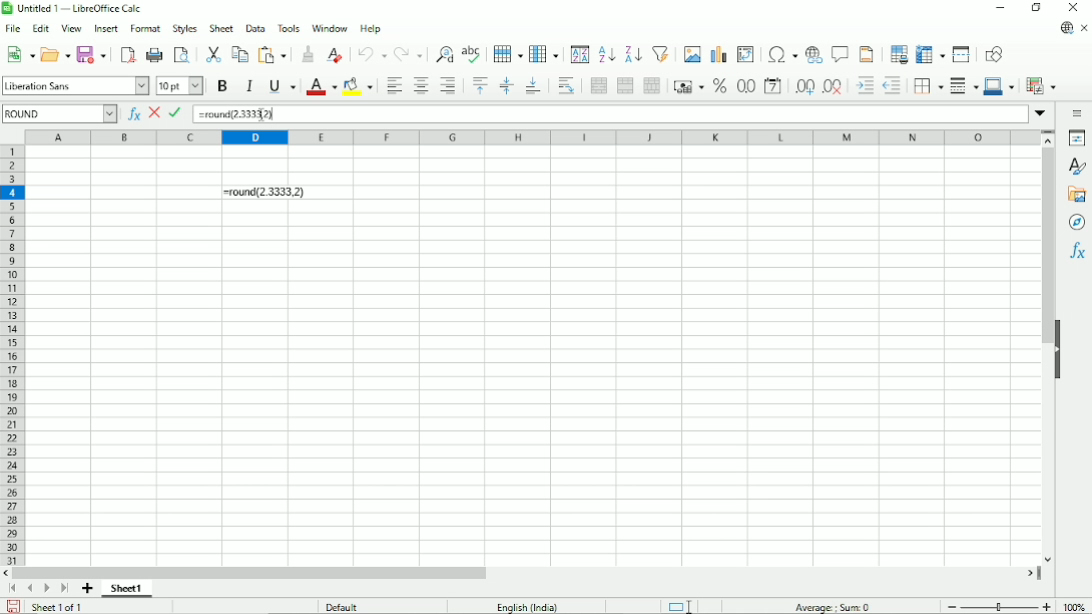 The width and height of the screenshot is (1092, 614). I want to click on Text color, so click(323, 86).